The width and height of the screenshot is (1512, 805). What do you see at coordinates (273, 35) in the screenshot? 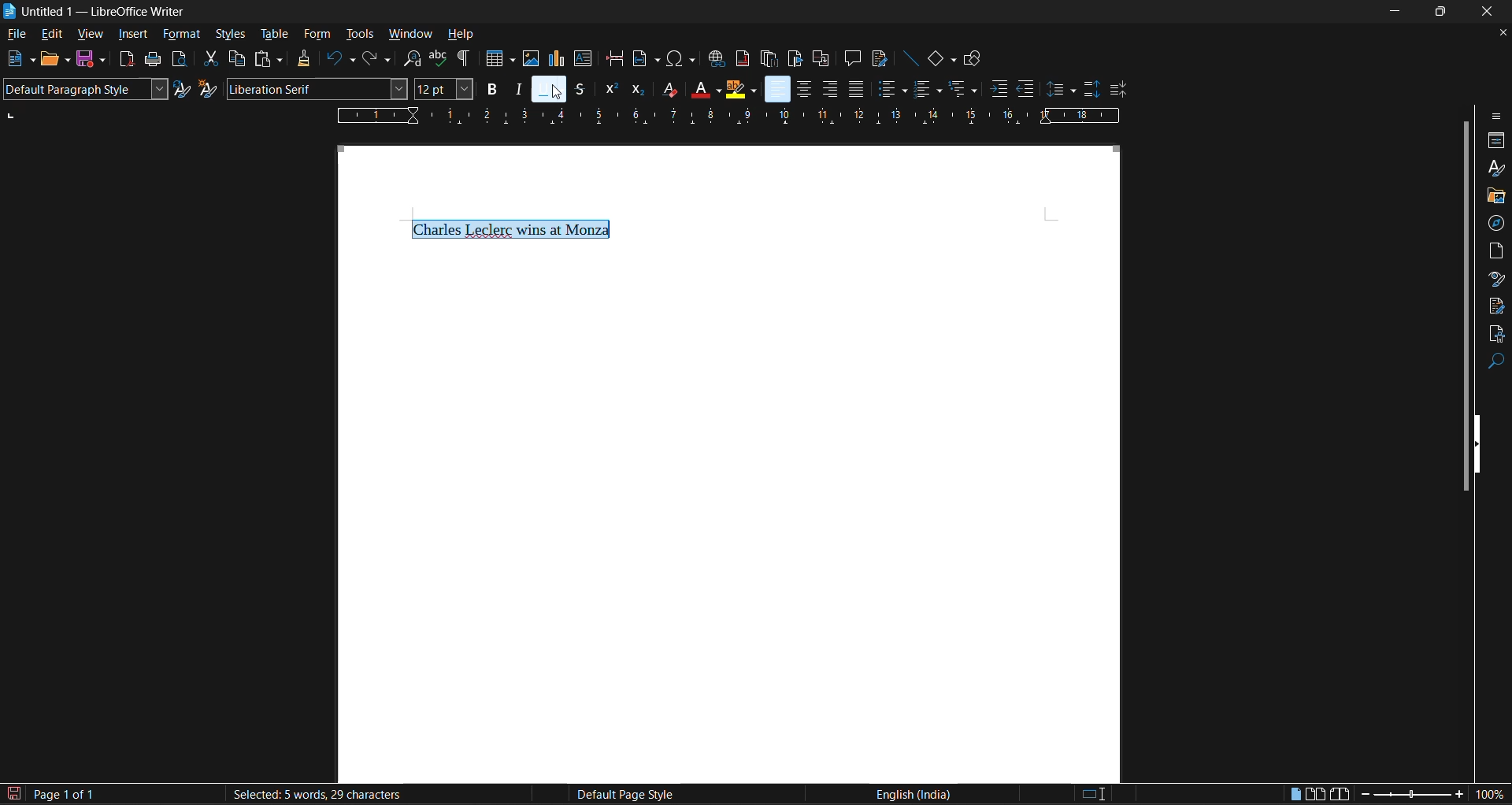
I see `table` at bounding box center [273, 35].